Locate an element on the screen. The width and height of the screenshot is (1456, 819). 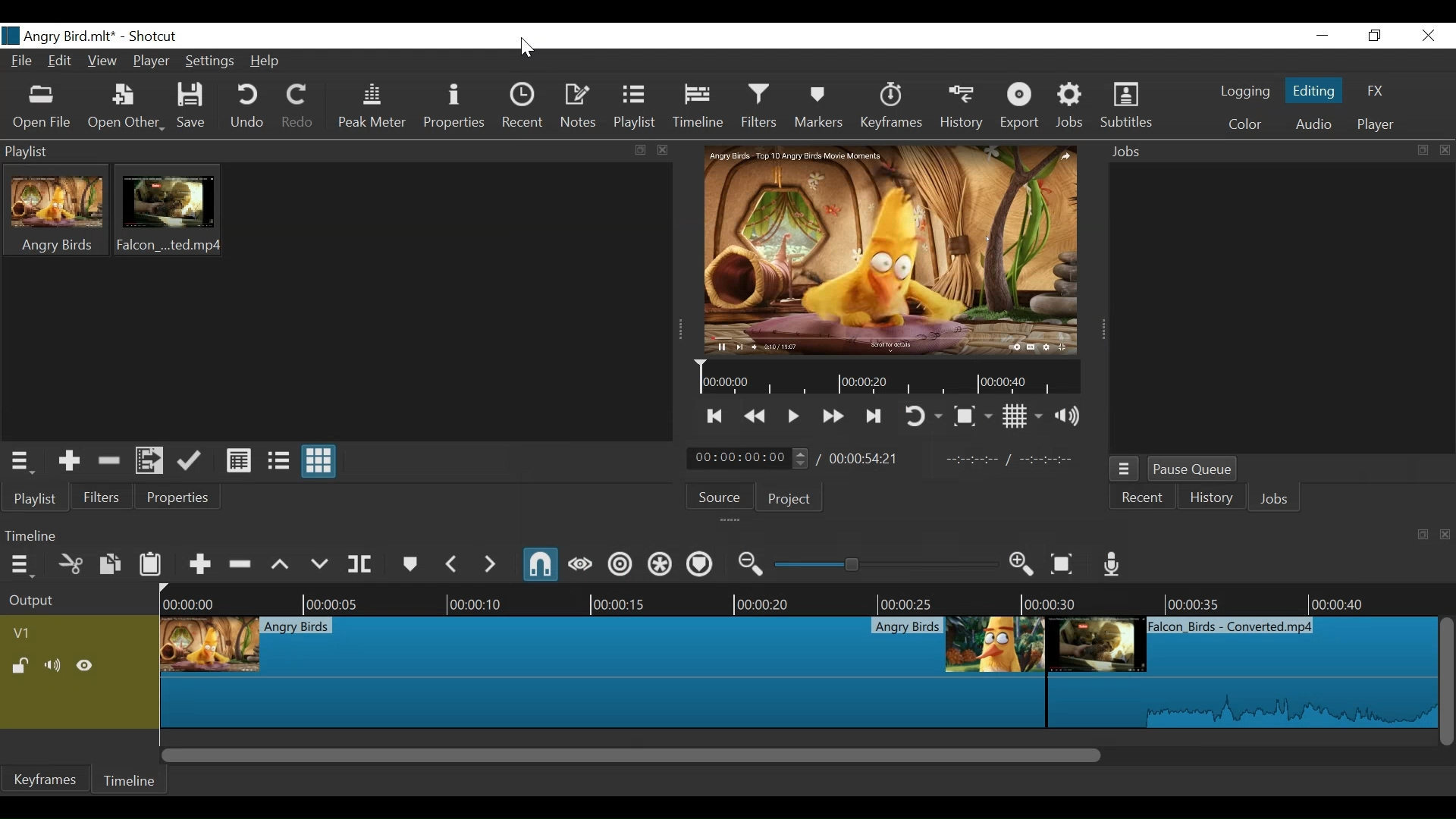
Lift is located at coordinates (280, 566).